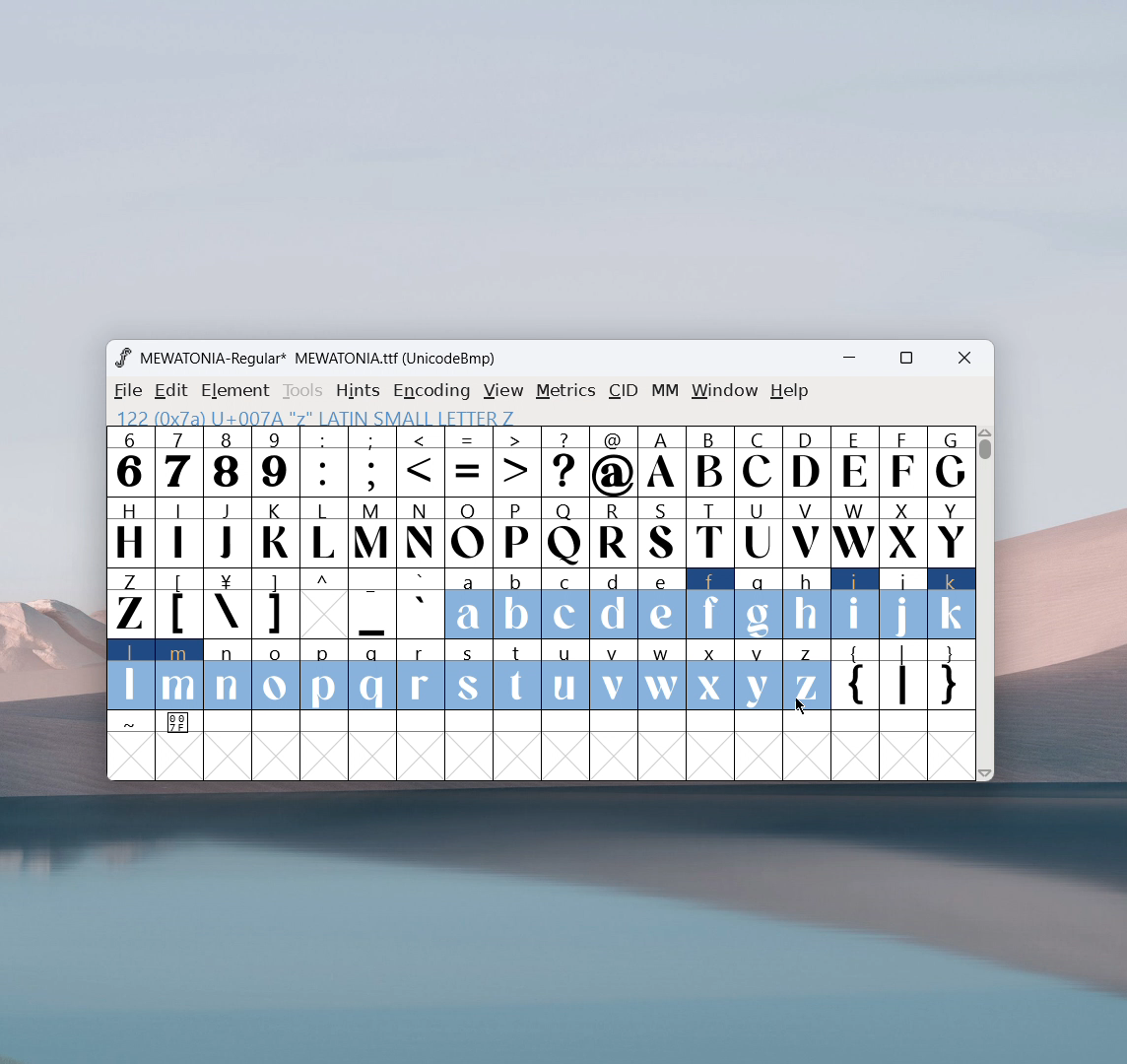 The image size is (1127, 1064). Describe the element at coordinates (662, 675) in the screenshot. I see `w` at that location.